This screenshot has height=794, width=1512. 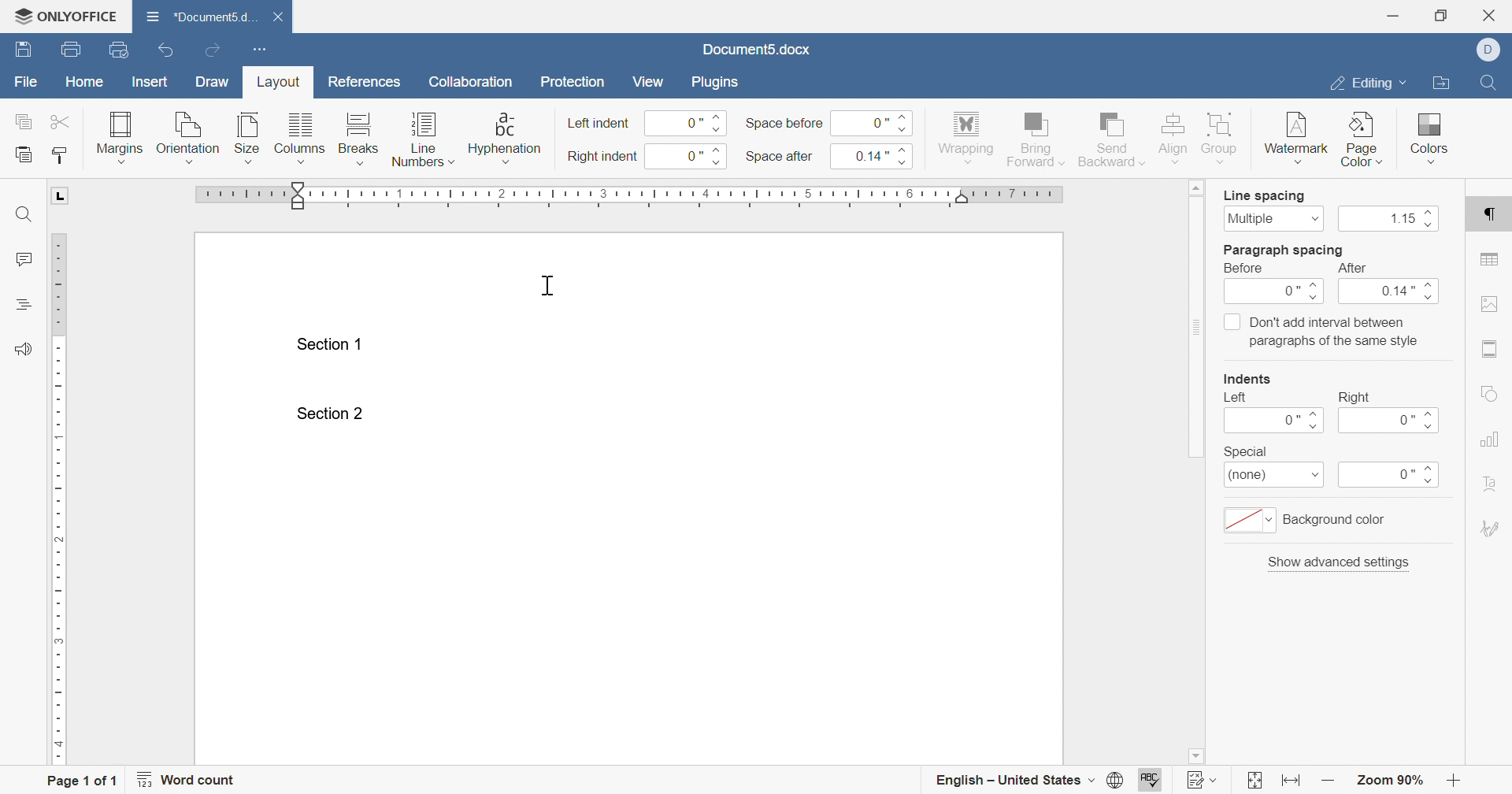 What do you see at coordinates (714, 82) in the screenshot?
I see `plugins` at bounding box center [714, 82].